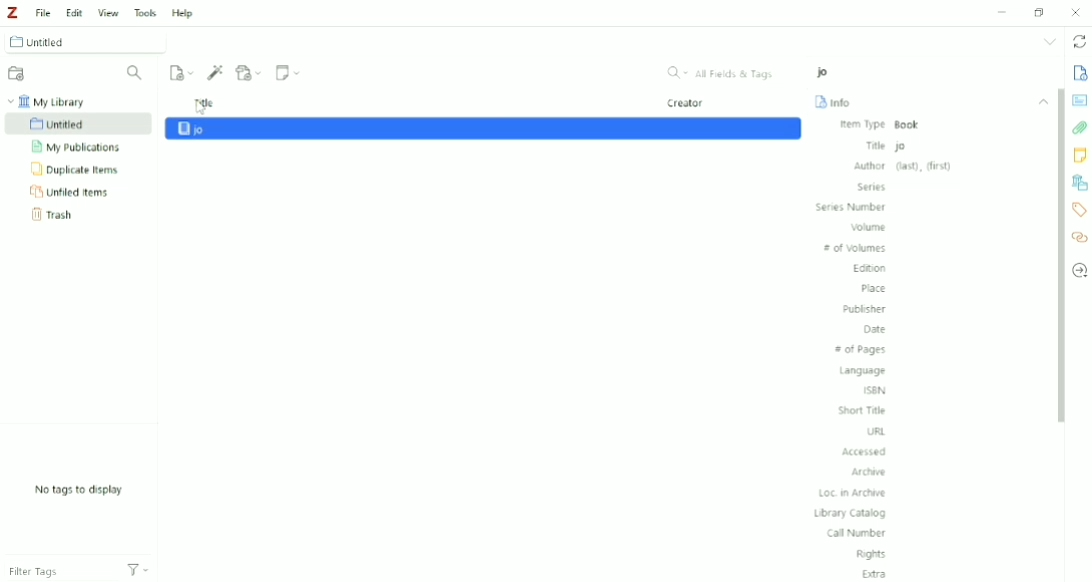 The width and height of the screenshot is (1092, 582). Describe the element at coordinates (853, 493) in the screenshot. I see `Loc. in Archive` at that location.